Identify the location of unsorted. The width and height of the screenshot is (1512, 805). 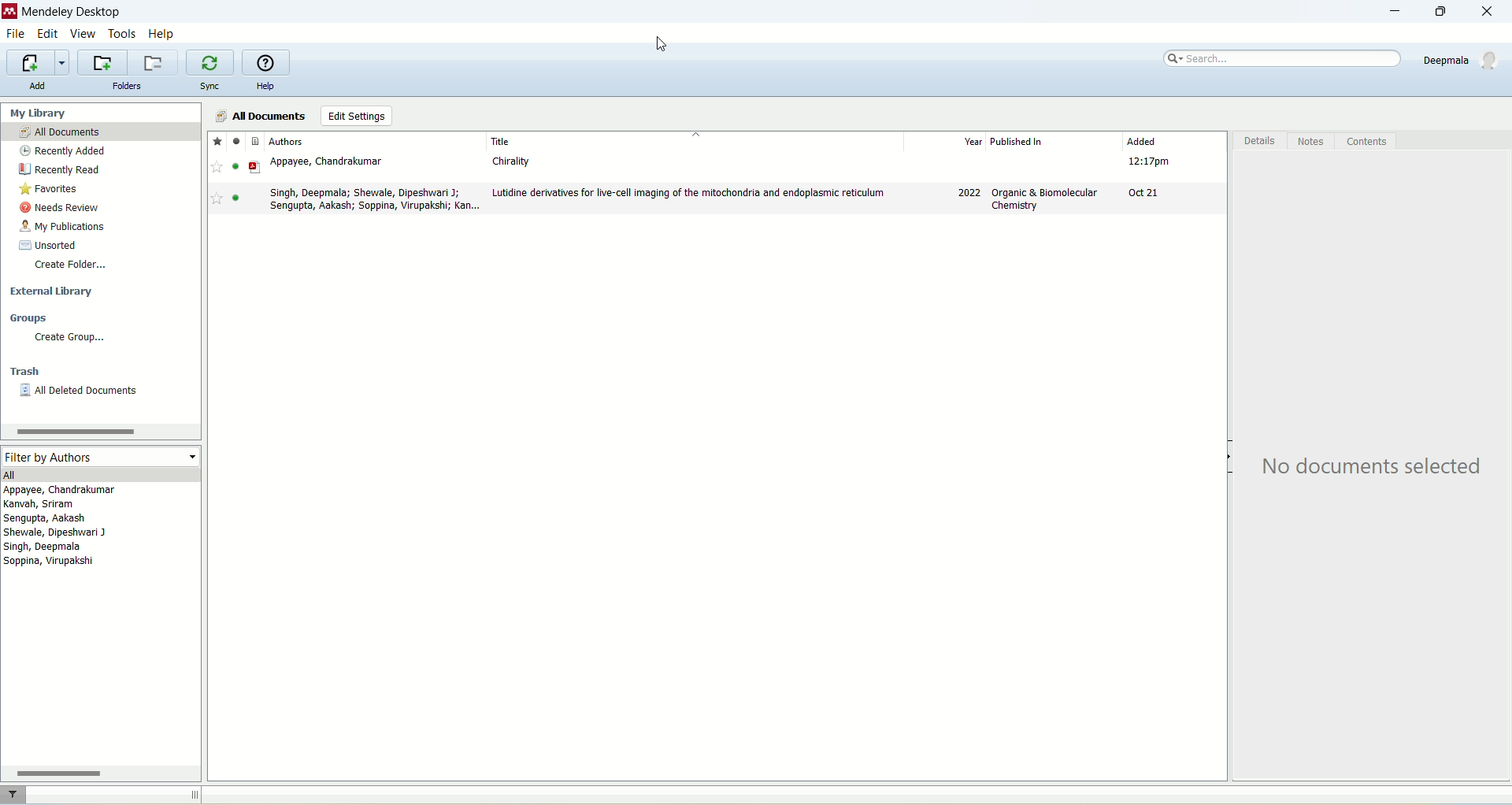
(54, 244).